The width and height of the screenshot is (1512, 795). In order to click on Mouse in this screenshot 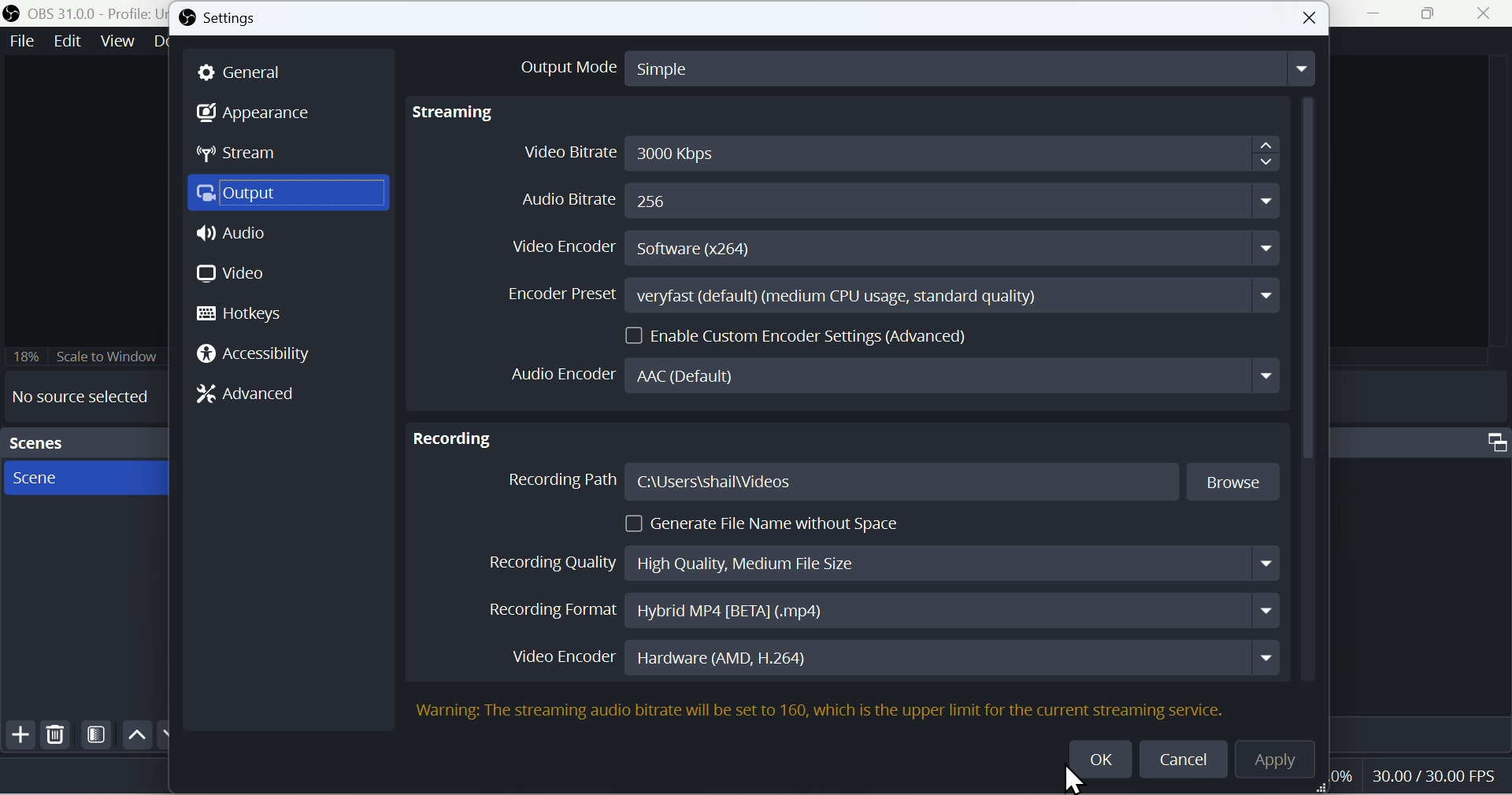, I will do `click(1077, 780)`.